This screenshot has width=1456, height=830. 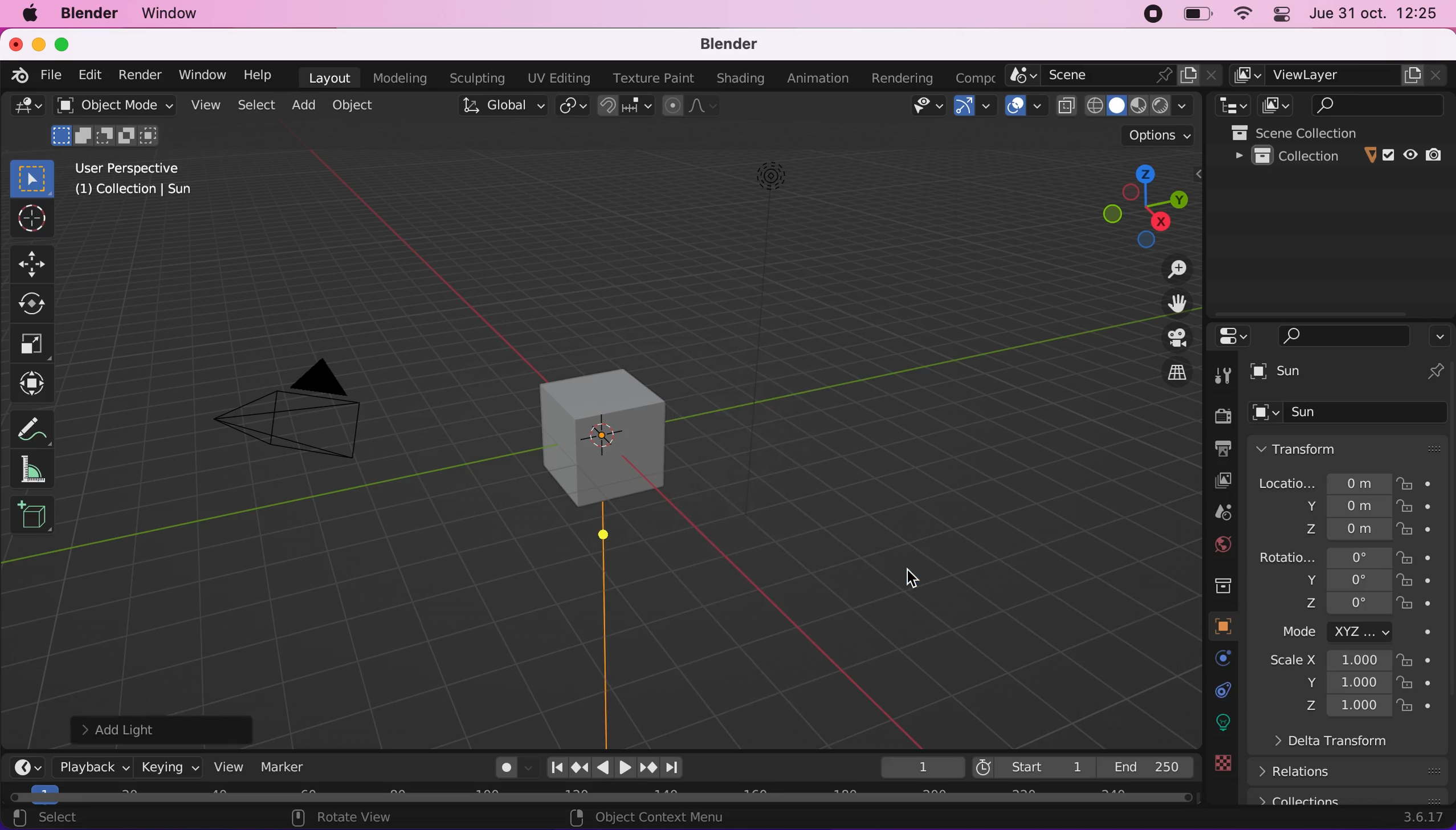 I want to click on sun light, so click(x=610, y=569).